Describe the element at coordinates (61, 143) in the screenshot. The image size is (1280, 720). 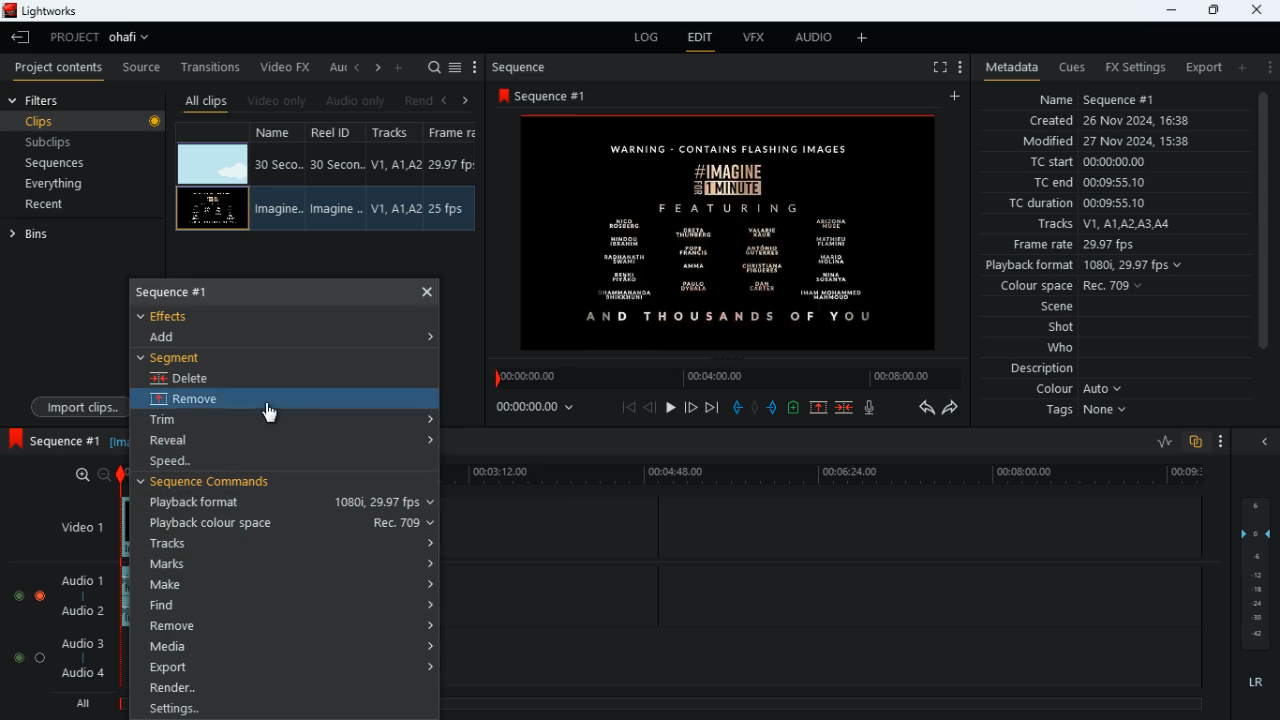
I see `subclips` at that location.